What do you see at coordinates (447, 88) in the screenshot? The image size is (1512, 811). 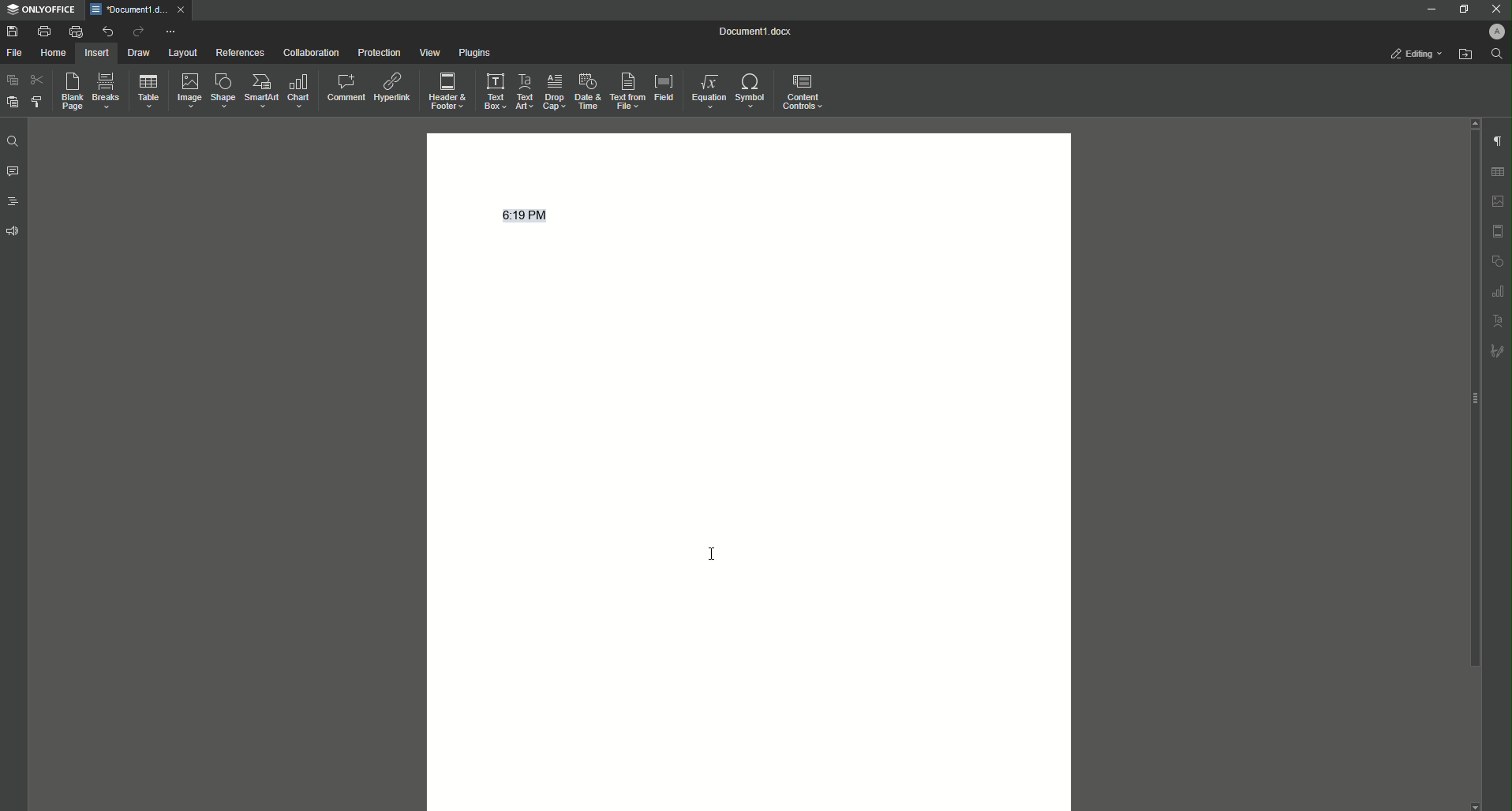 I see `Header and Footer` at bounding box center [447, 88].